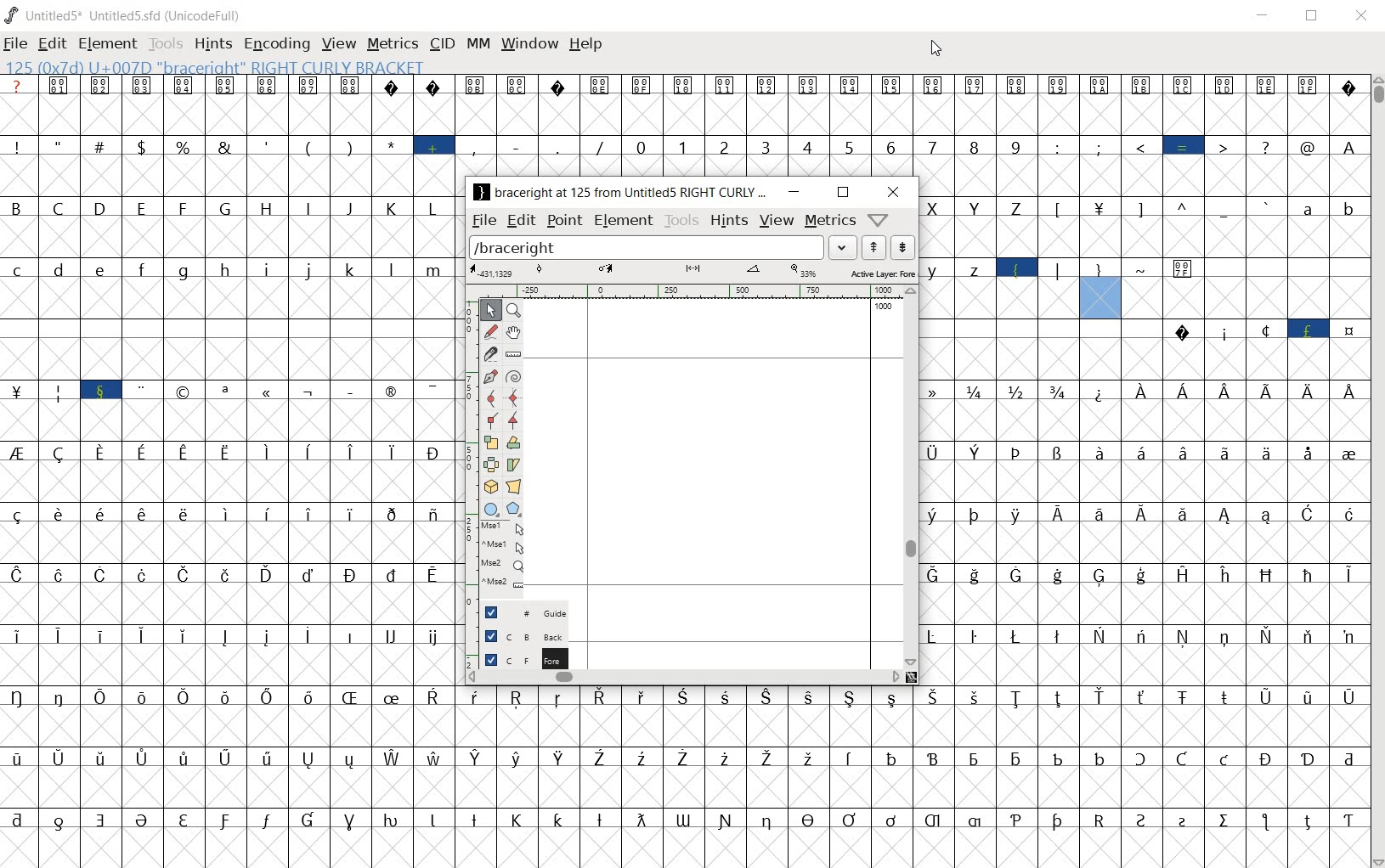 The height and width of the screenshot is (868, 1385). I want to click on 125 (0X7b) U+007D "braceright" RIGHT CURLY BRACKET, so click(212, 66).